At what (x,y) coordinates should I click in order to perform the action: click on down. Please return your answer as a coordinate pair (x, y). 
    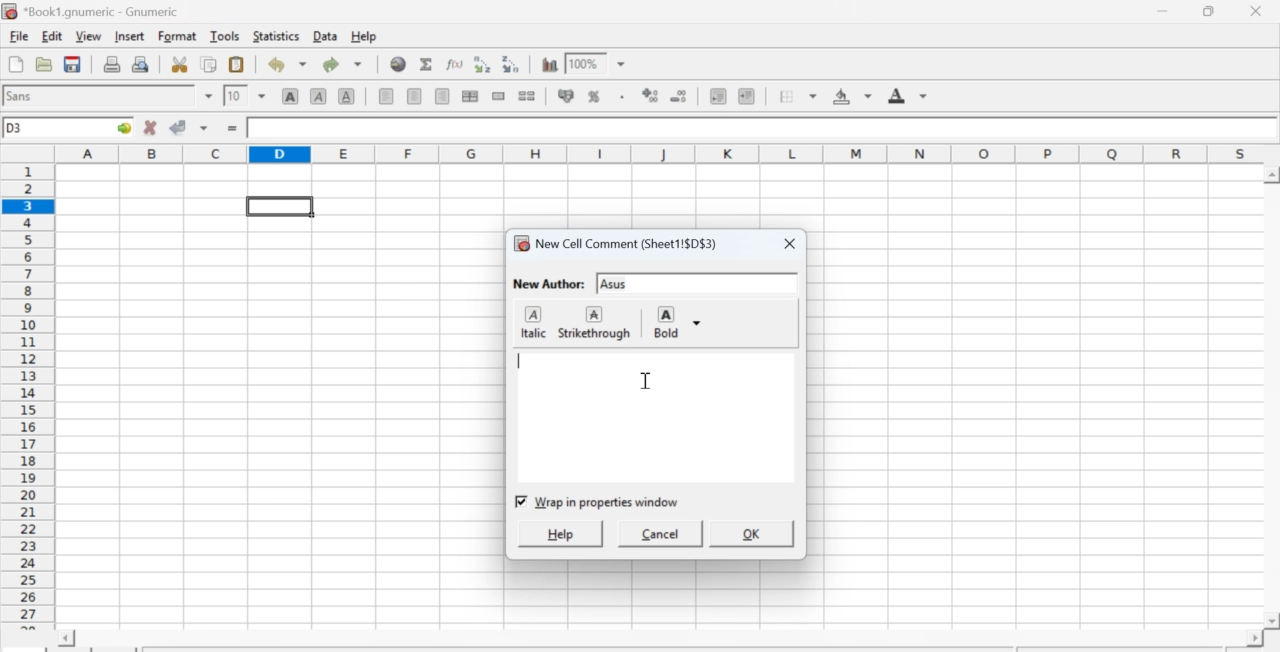
    Looking at the image, I should click on (205, 127).